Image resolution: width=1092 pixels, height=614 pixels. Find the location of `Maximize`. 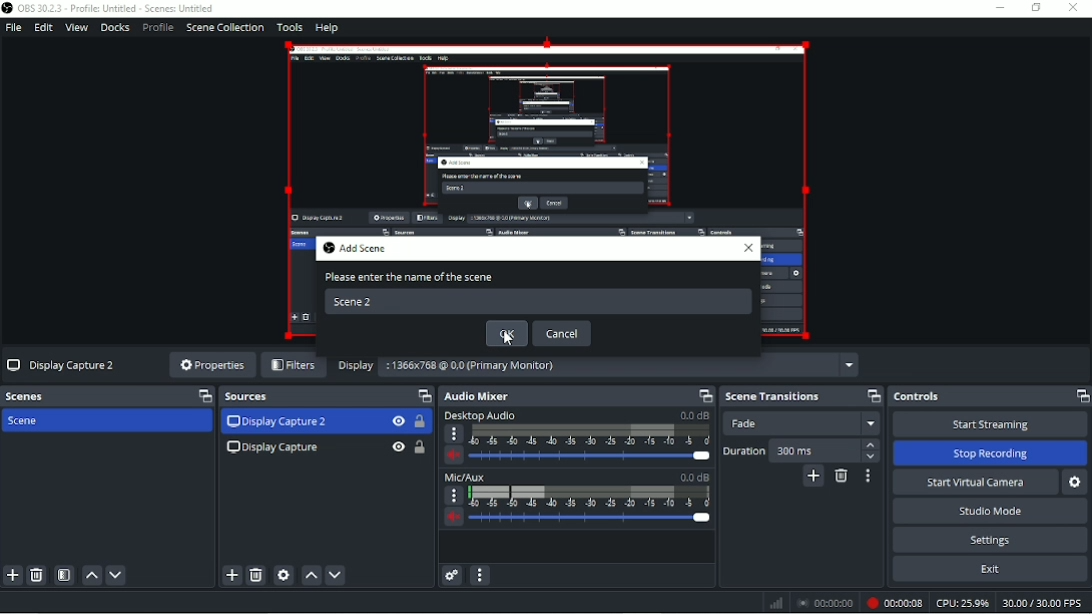

Maximize is located at coordinates (1081, 399).